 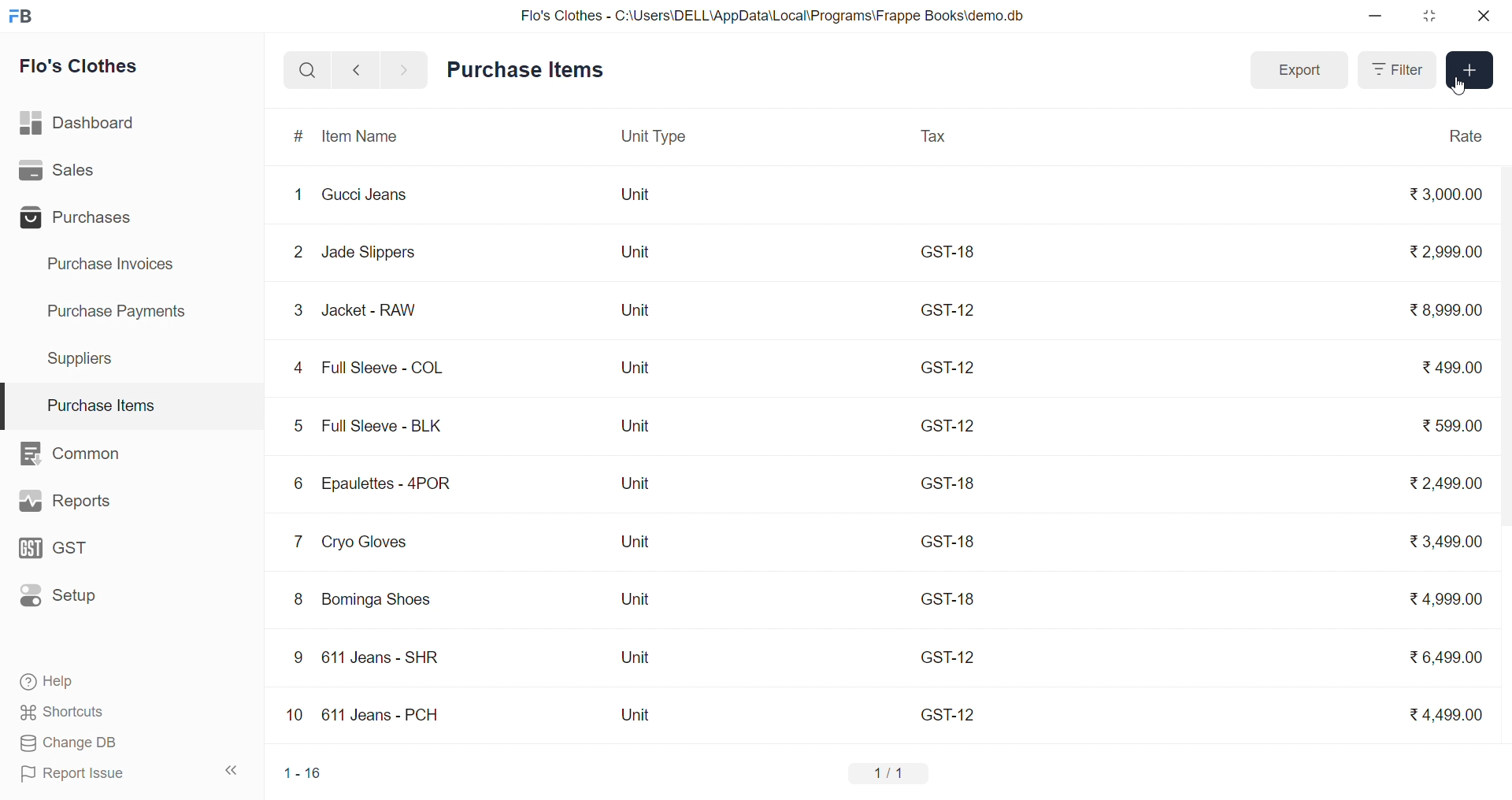 I want to click on 6, so click(x=297, y=483).